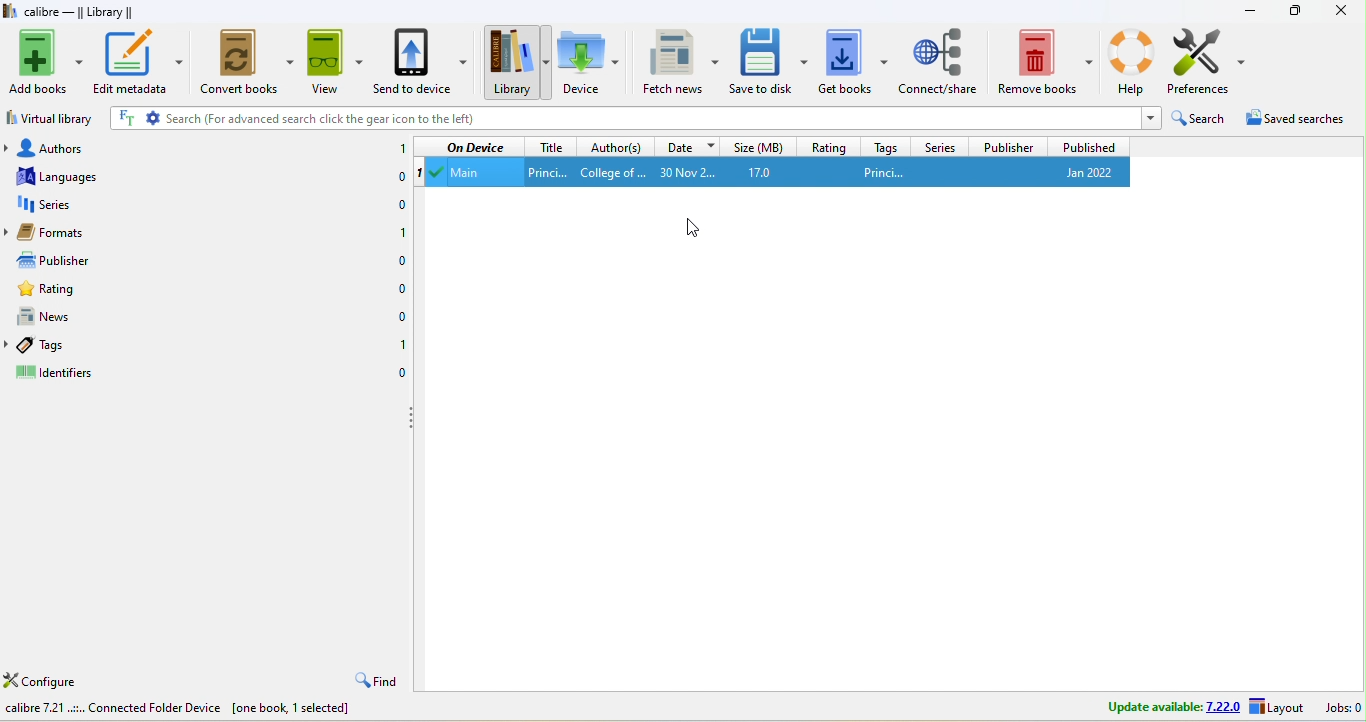 Image resolution: width=1366 pixels, height=722 pixels. I want to click on layout, so click(1277, 708).